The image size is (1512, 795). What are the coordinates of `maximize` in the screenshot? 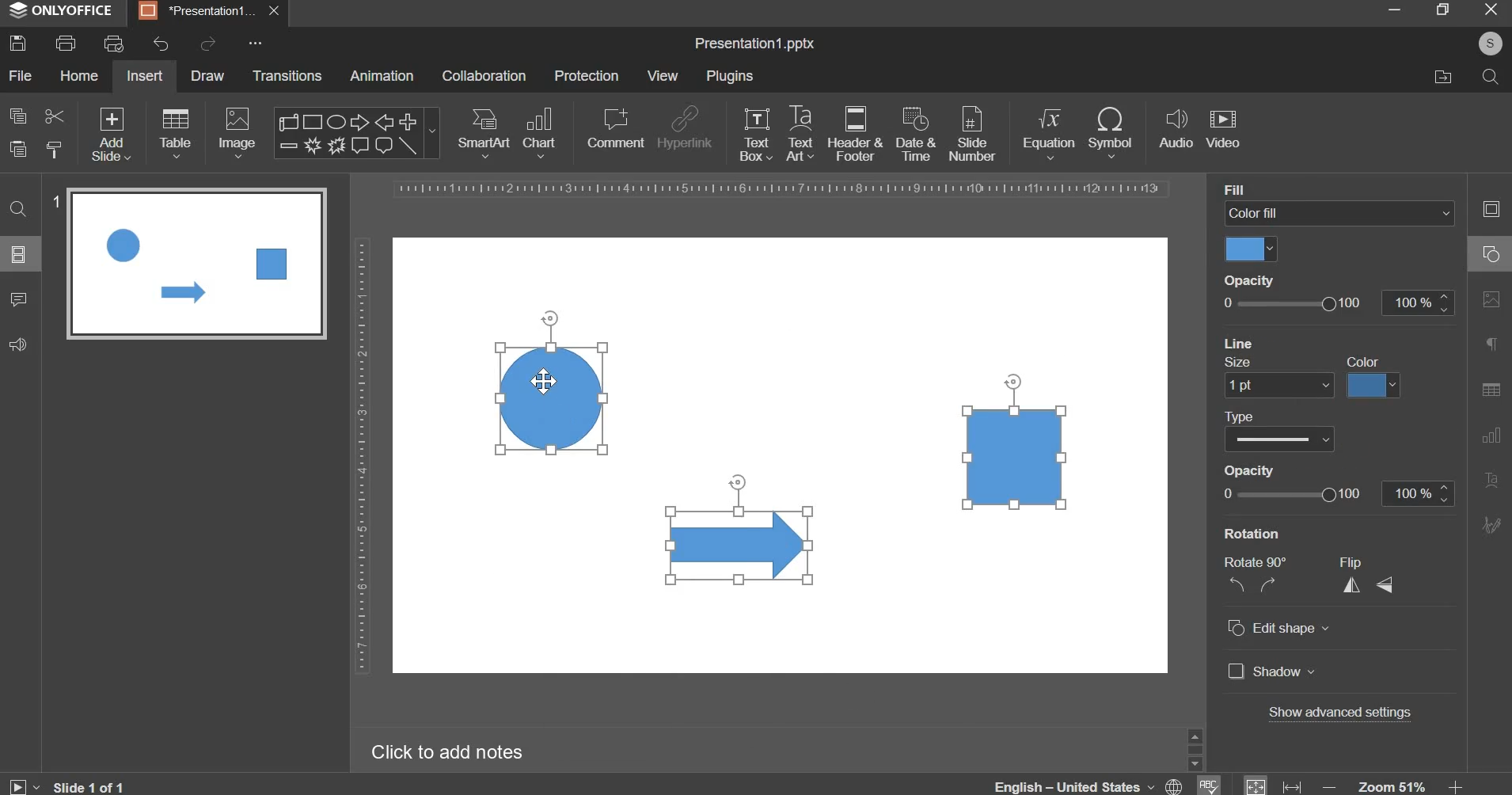 It's located at (1442, 9).